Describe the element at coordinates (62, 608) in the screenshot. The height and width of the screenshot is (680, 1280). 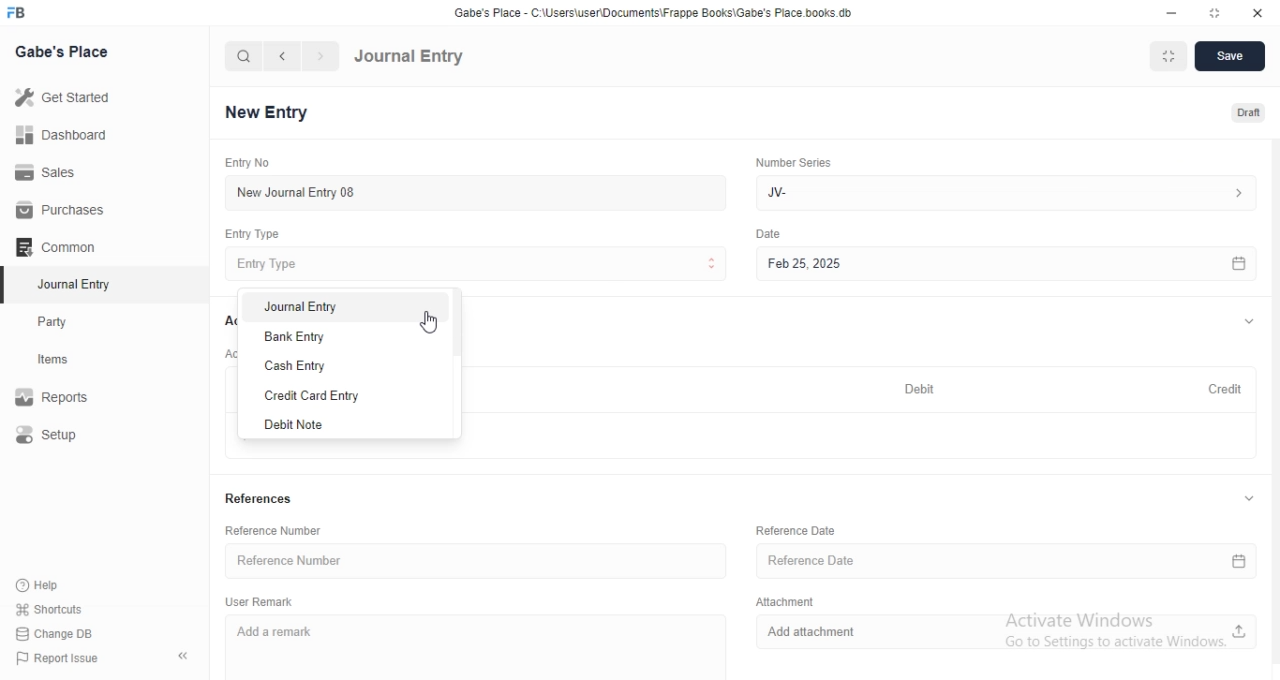
I see `shortcuts` at that location.